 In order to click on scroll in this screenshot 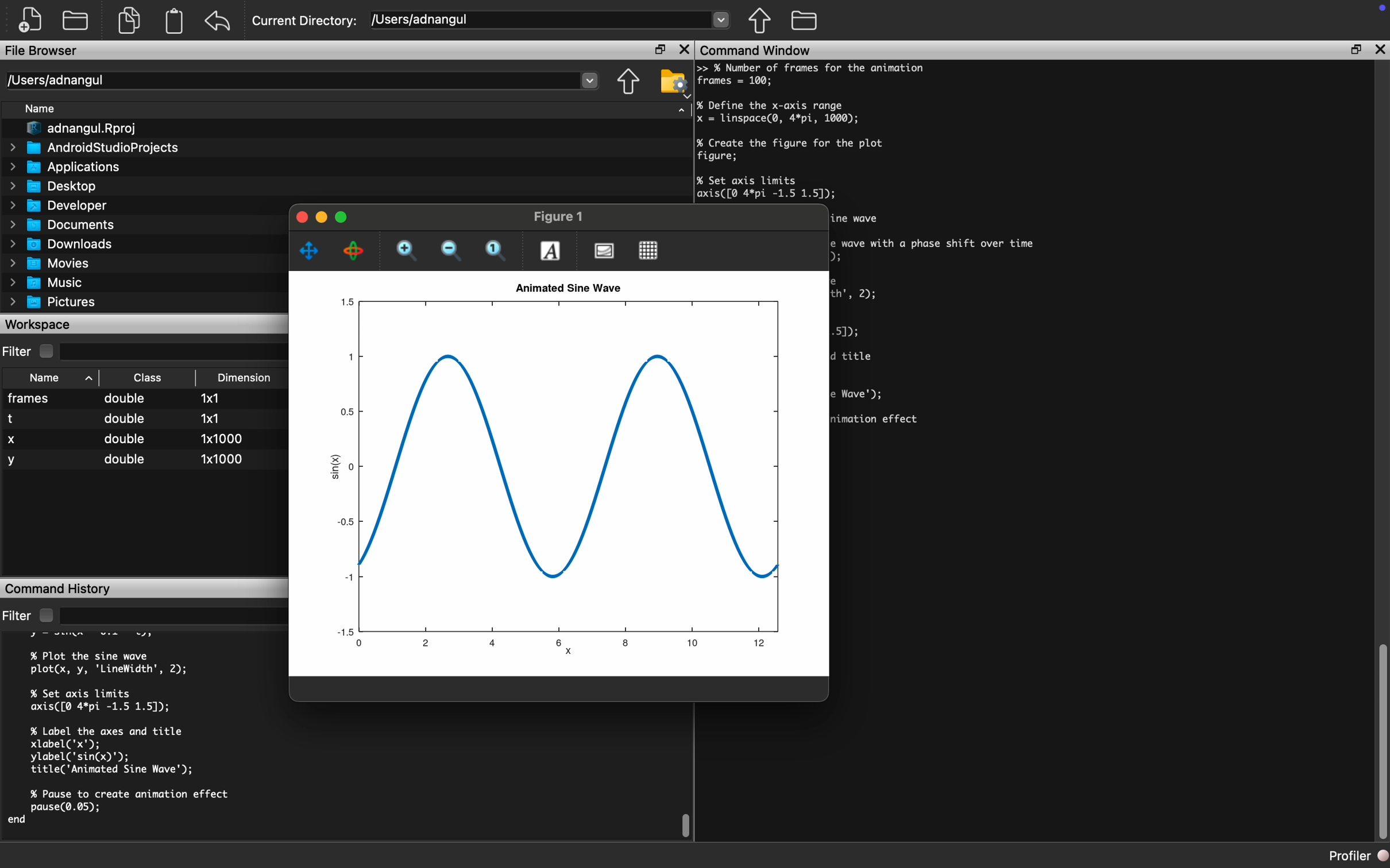, I will do `click(687, 822)`.